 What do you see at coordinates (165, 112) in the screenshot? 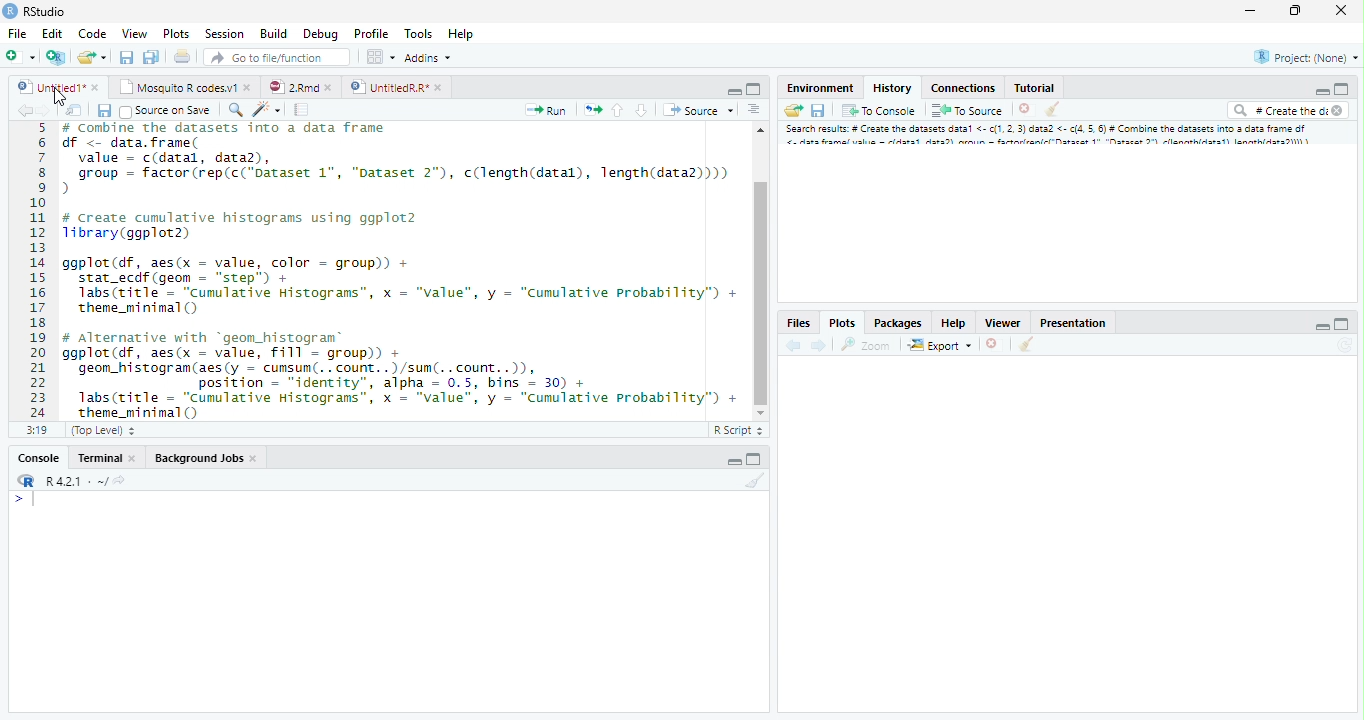
I see `Source on Save` at bounding box center [165, 112].